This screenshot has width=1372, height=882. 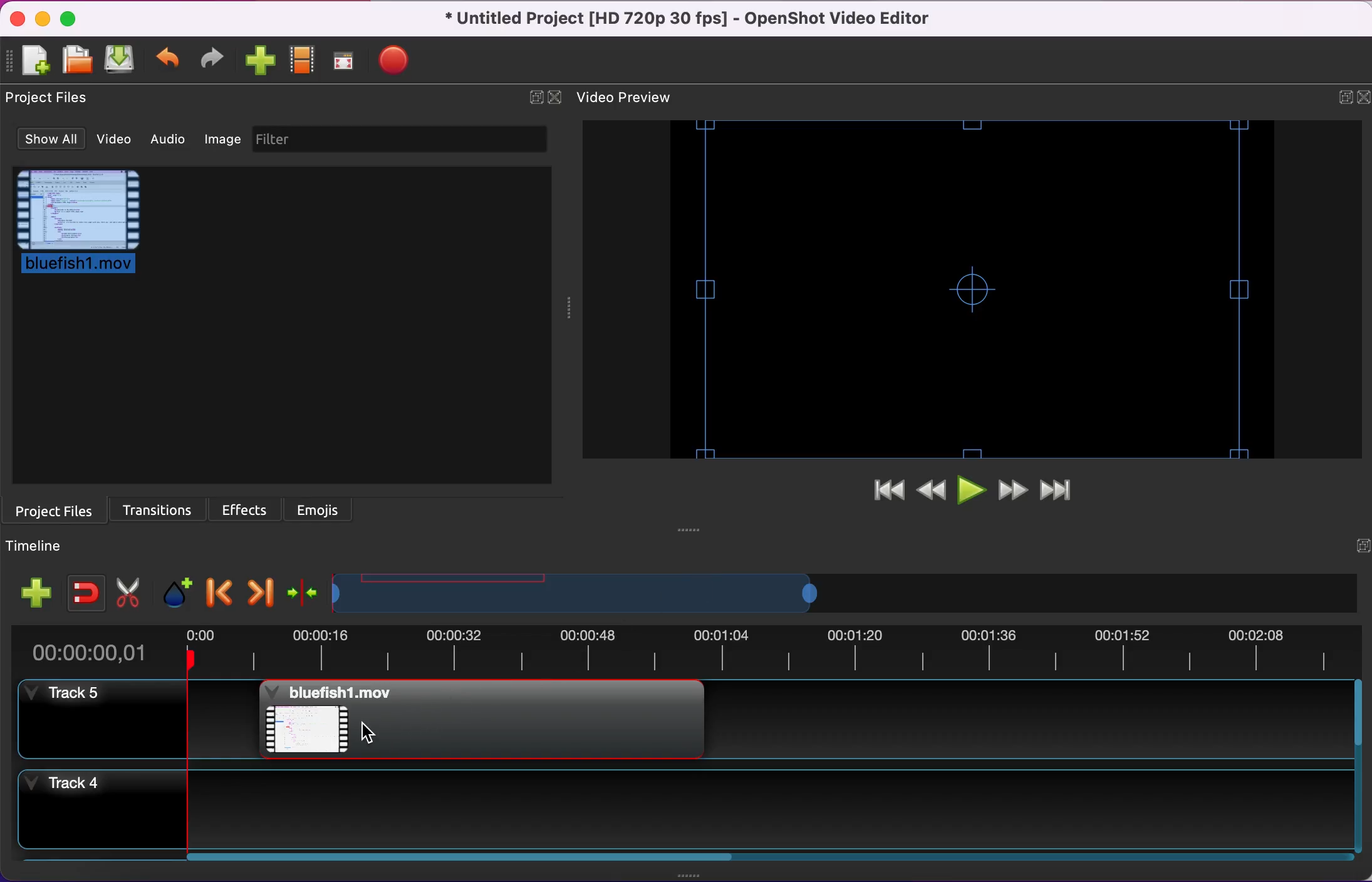 What do you see at coordinates (86, 593) in the screenshot?
I see `enable snapping` at bounding box center [86, 593].